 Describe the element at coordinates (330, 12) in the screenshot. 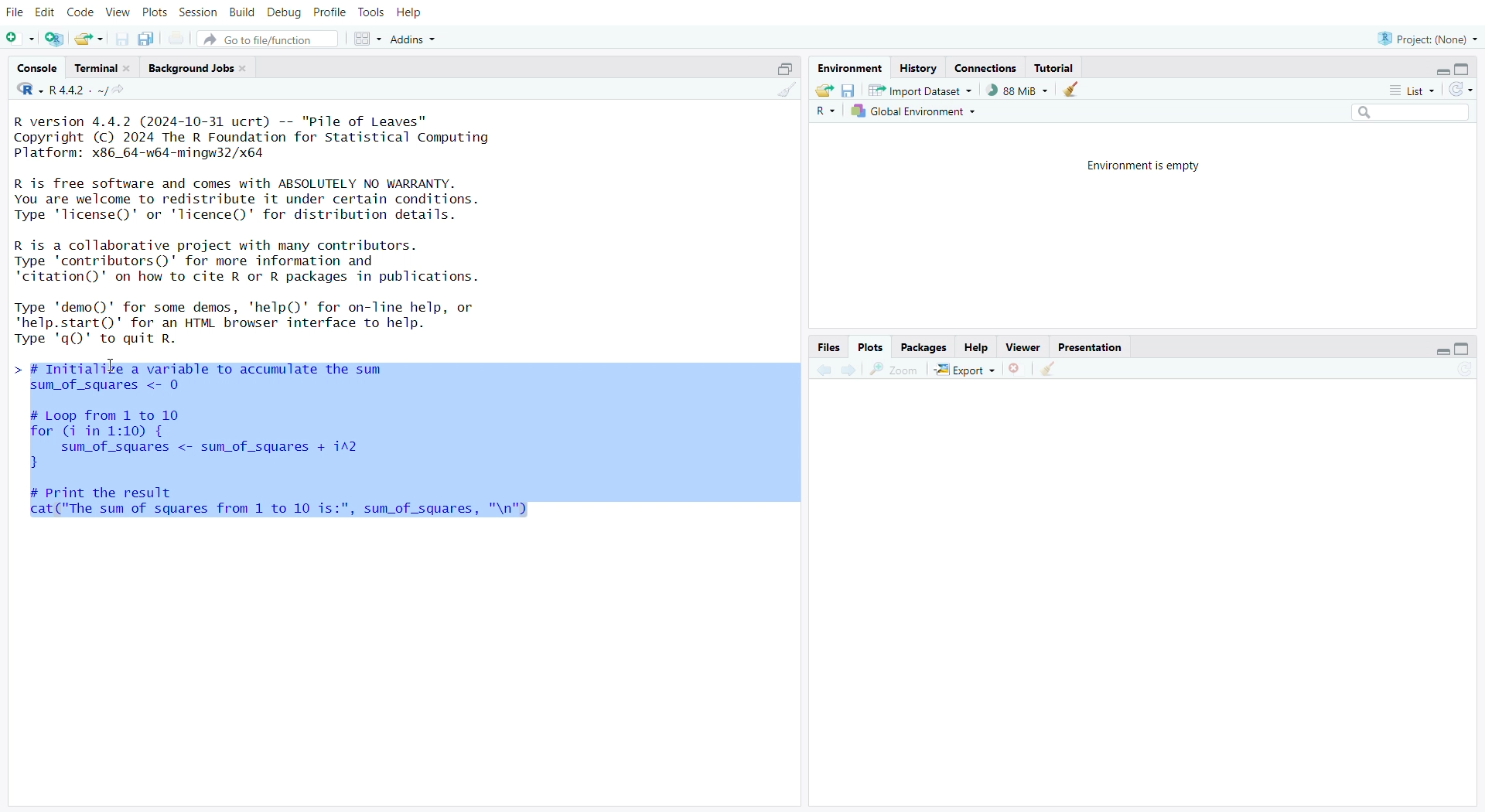

I see `profile` at that location.